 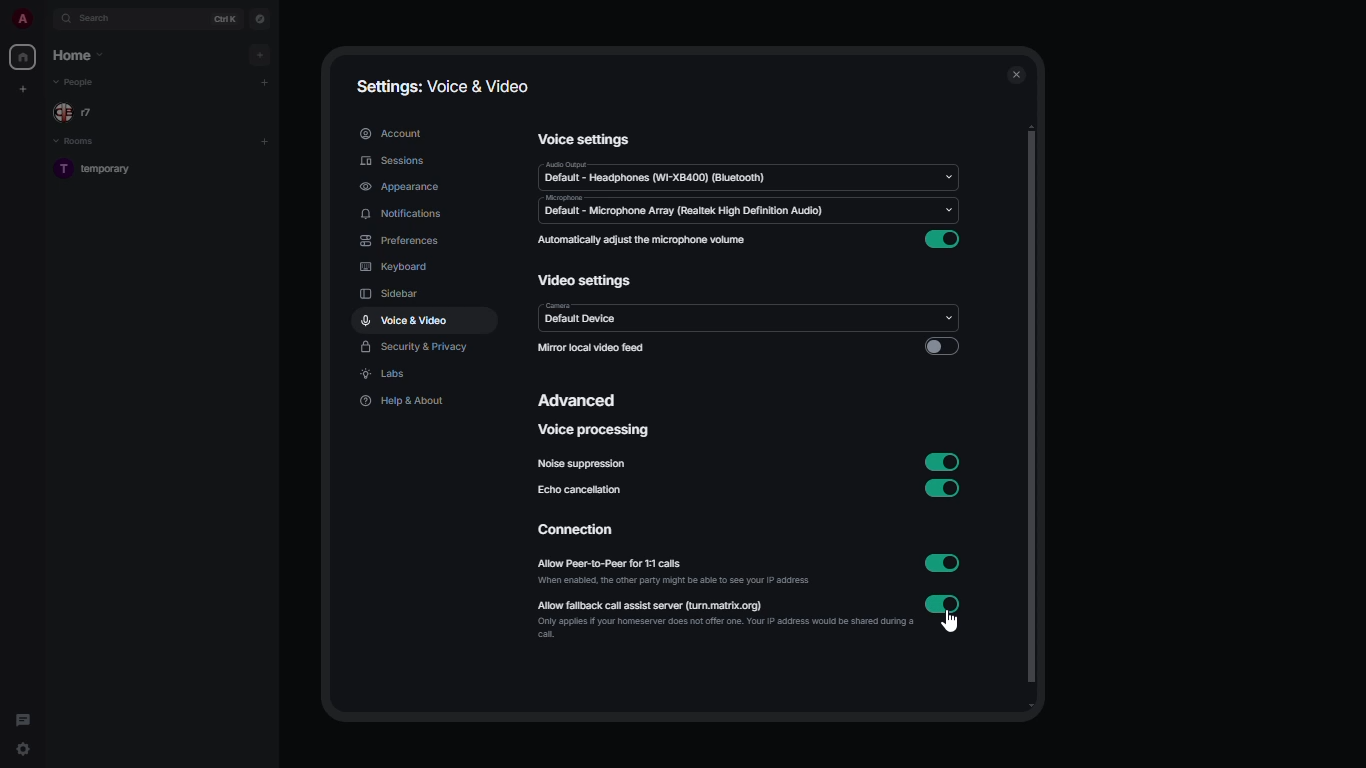 What do you see at coordinates (404, 400) in the screenshot?
I see `help & about` at bounding box center [404, 400].